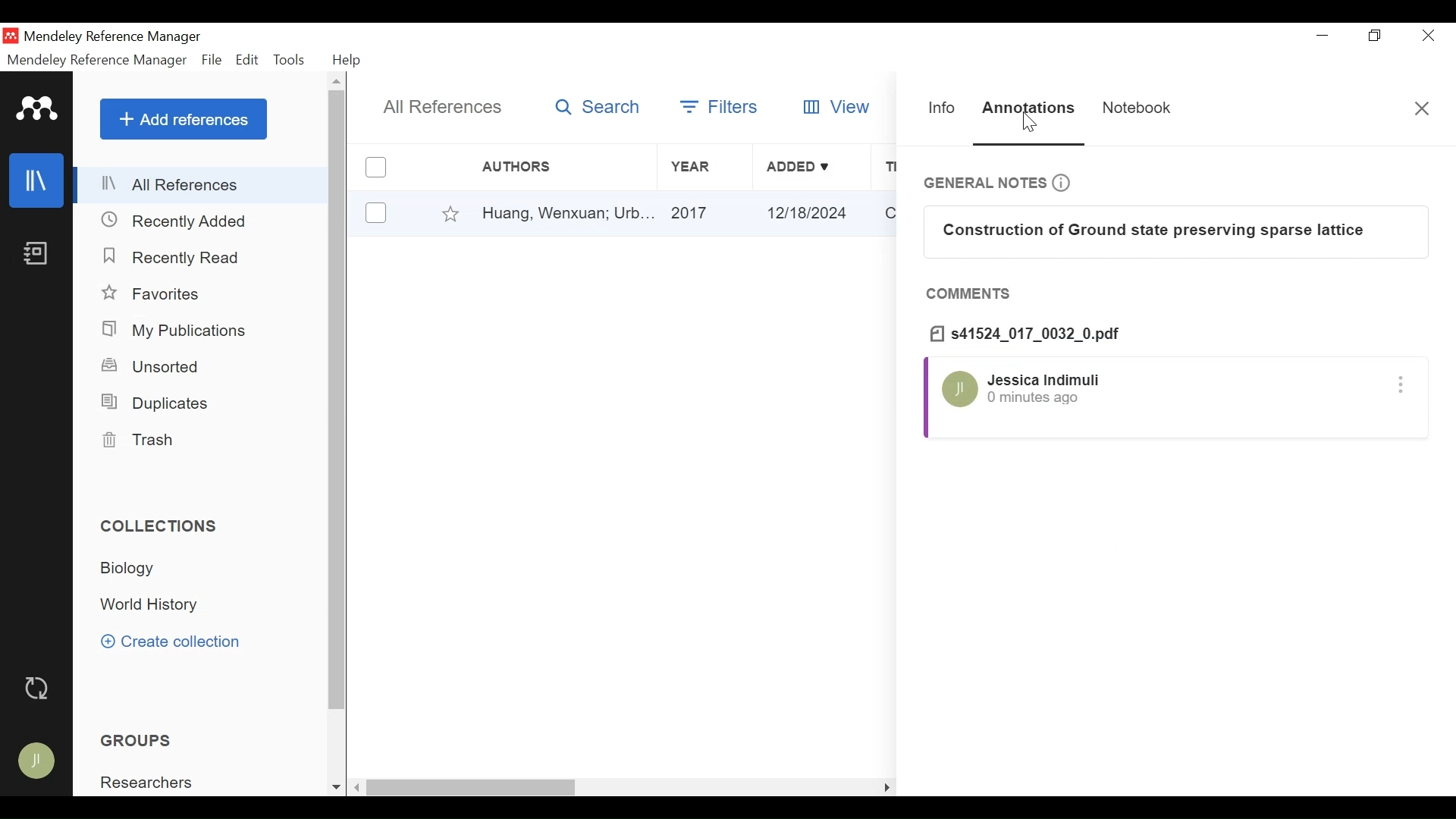 The height and width of the screenshot is (819, 1456). What do you see at coordinates (185, 119) in the screenshot?
I see `Add Reference` at bounding box center [185, 119].